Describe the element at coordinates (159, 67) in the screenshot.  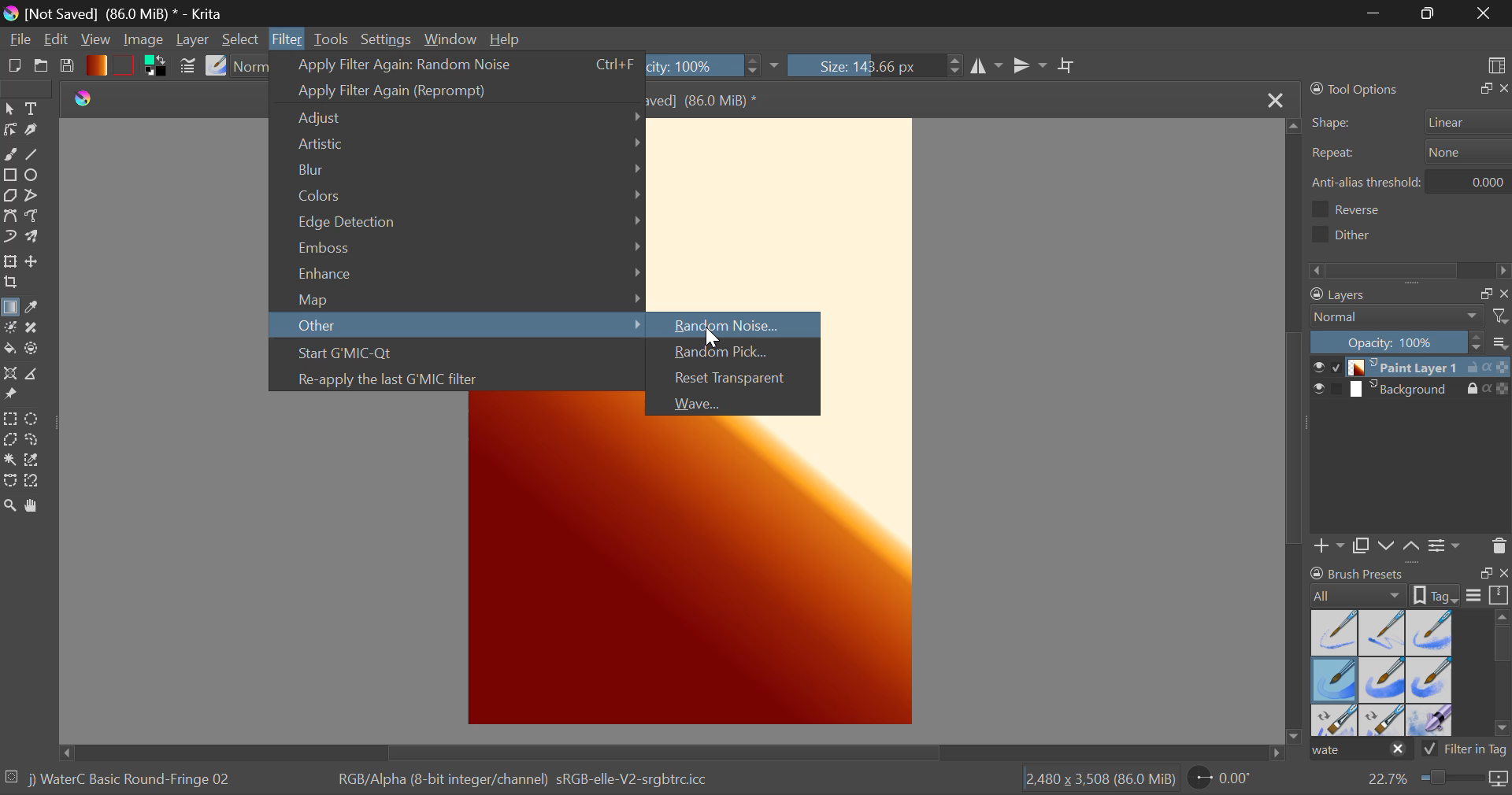
I see `Colors in Use` at that location.